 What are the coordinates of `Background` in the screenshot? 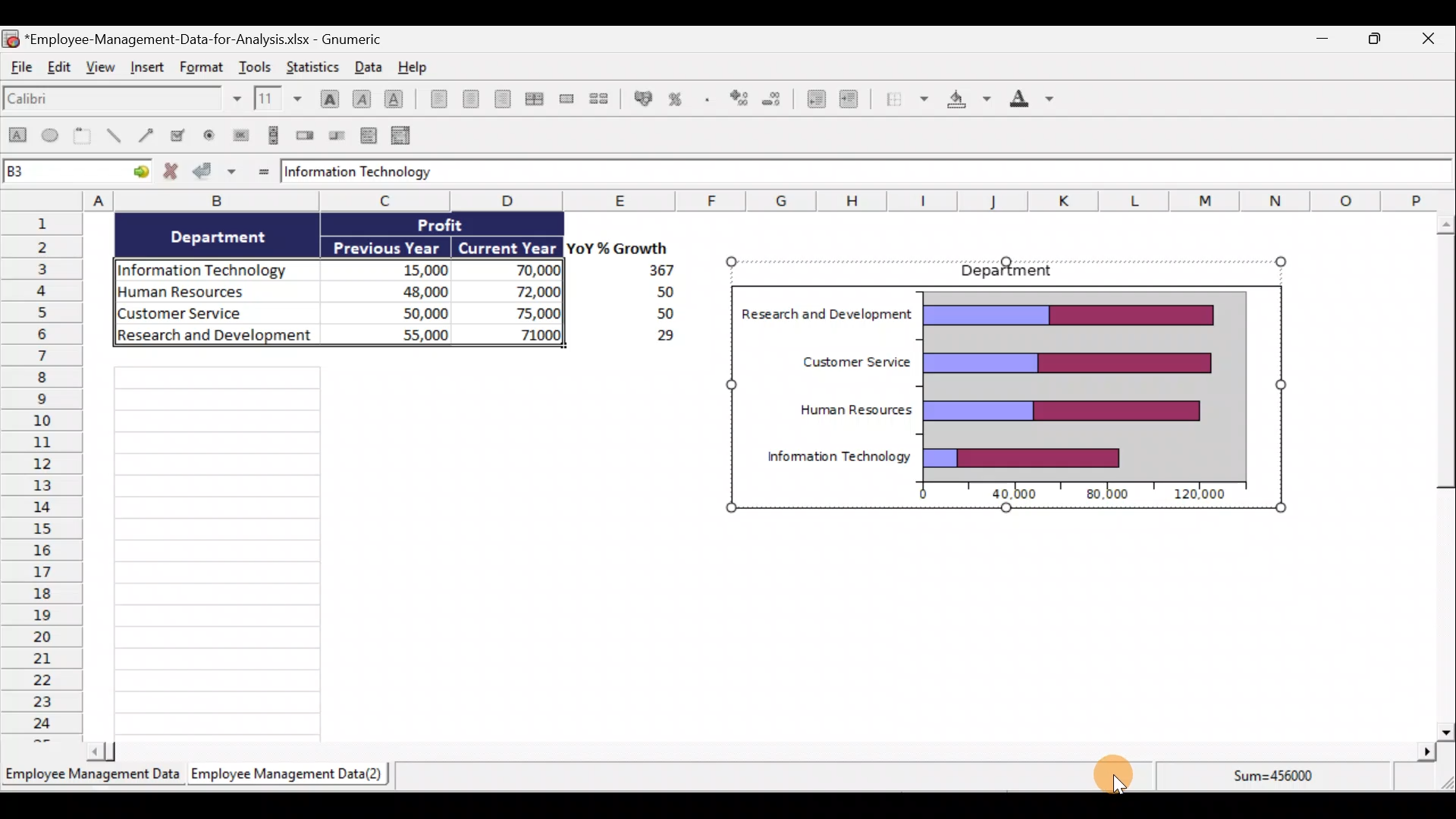 It's located at (970, 102).